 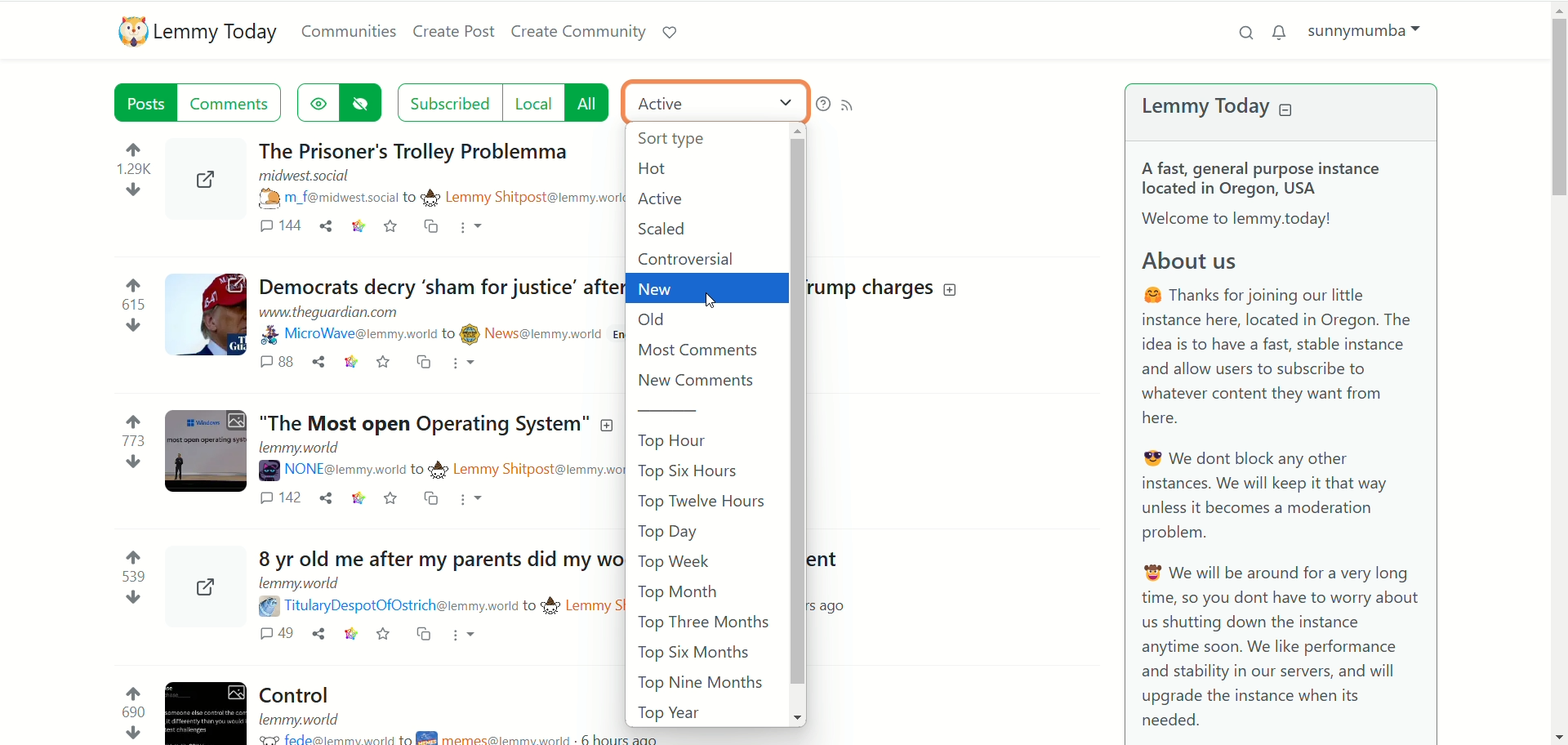 I want to click on Preview image, so click(x=203, y=456).